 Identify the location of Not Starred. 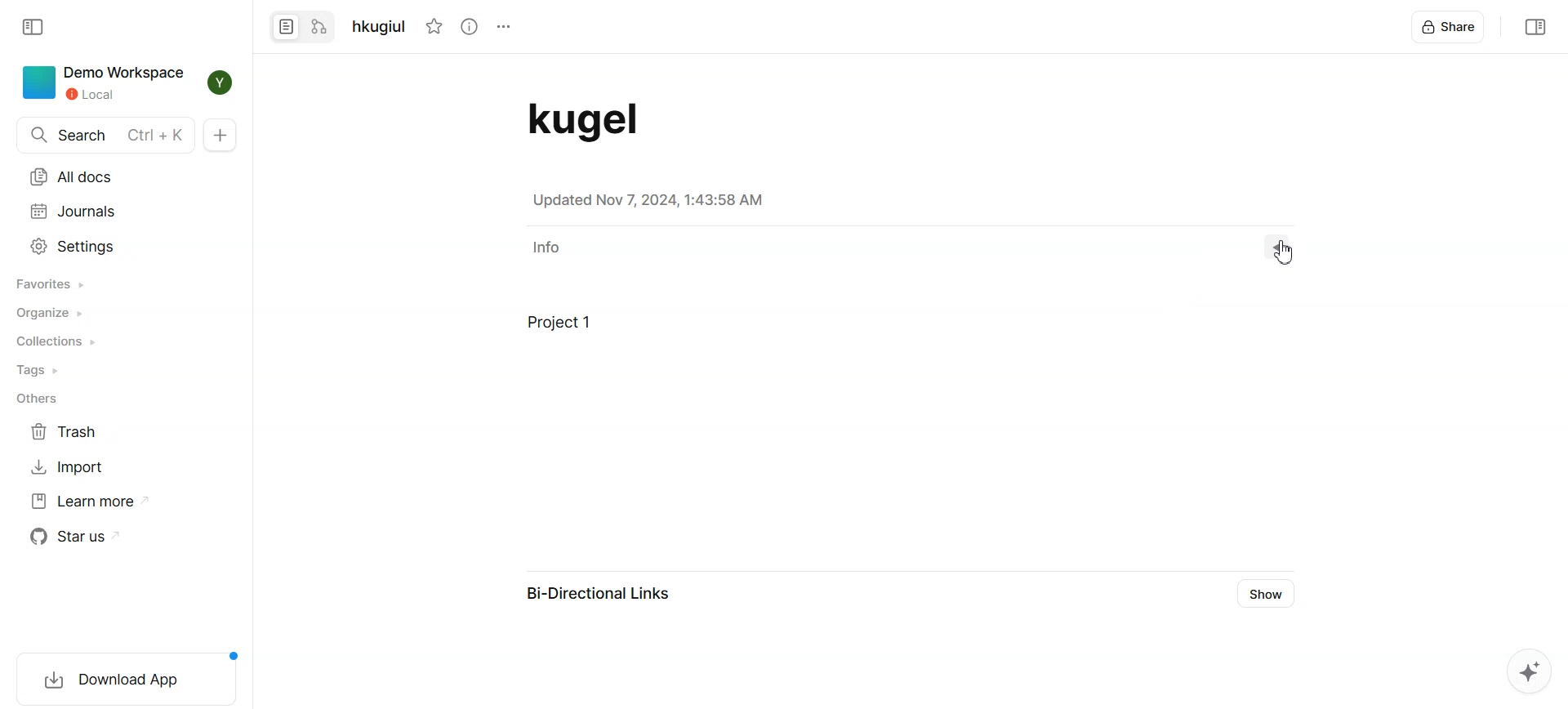
(435, 26).